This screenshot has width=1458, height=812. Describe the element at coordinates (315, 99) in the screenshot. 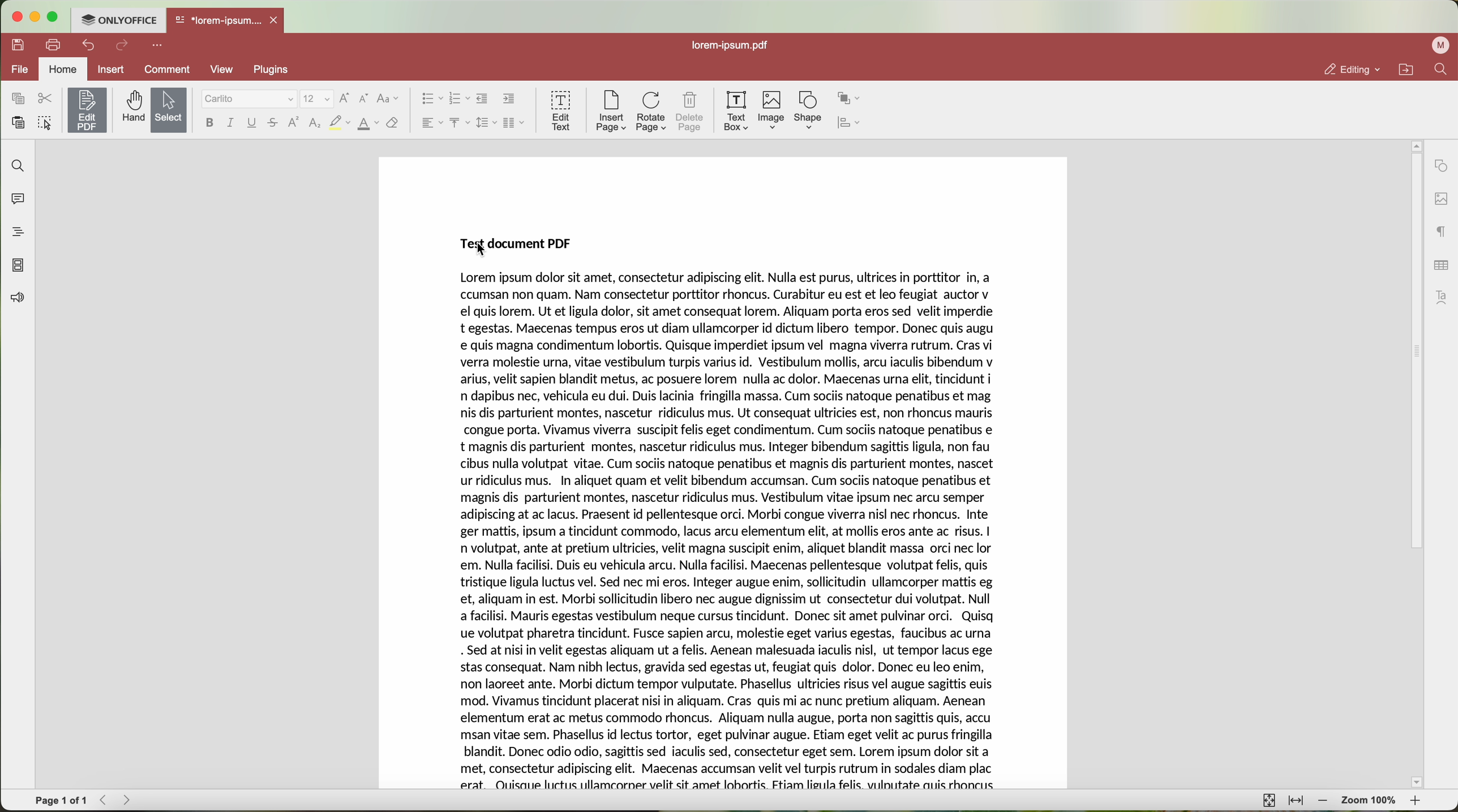

I see `size font` at that location.